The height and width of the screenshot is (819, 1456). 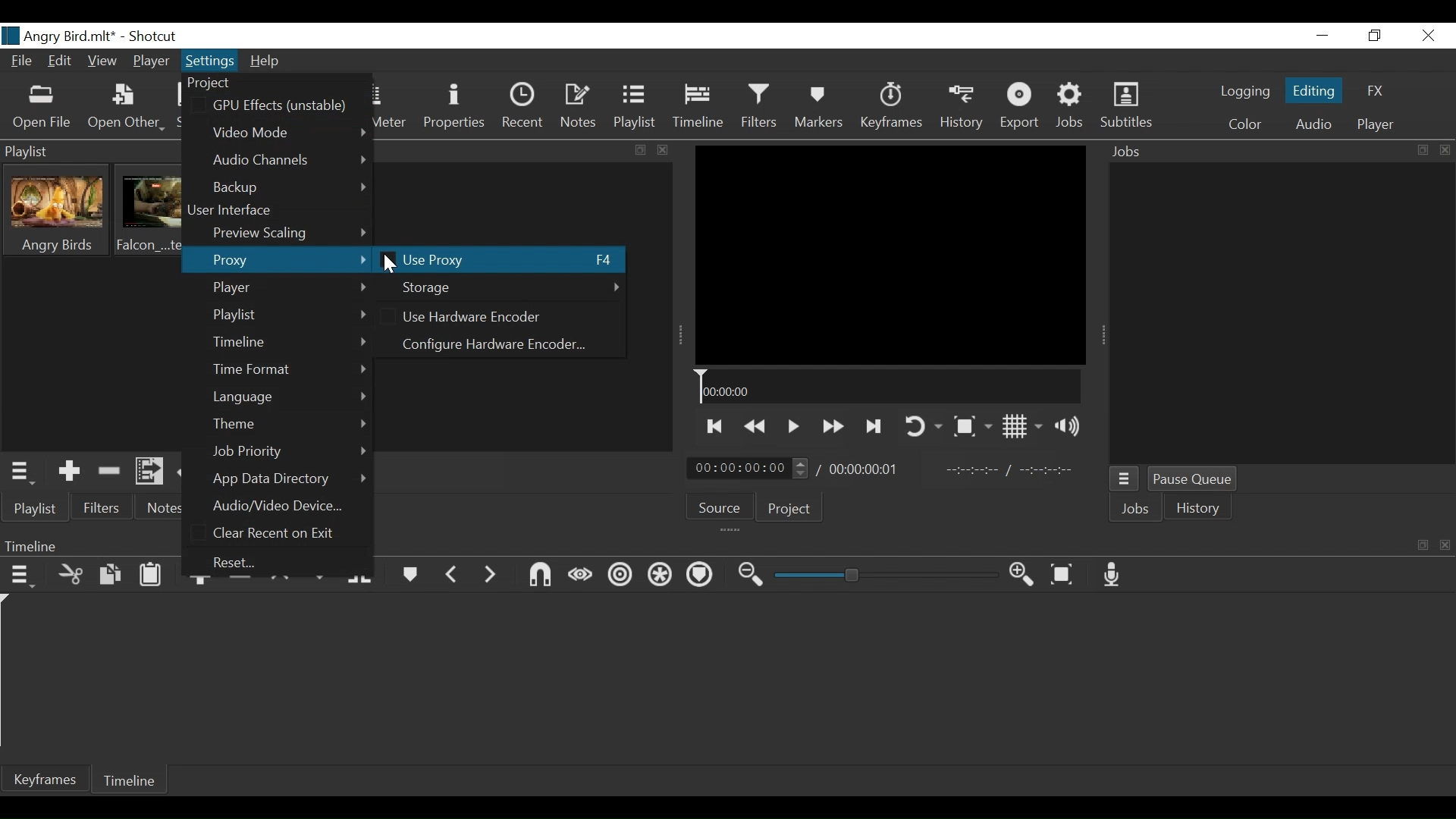 I want to click on Time Format, so click(x=289, y=369).